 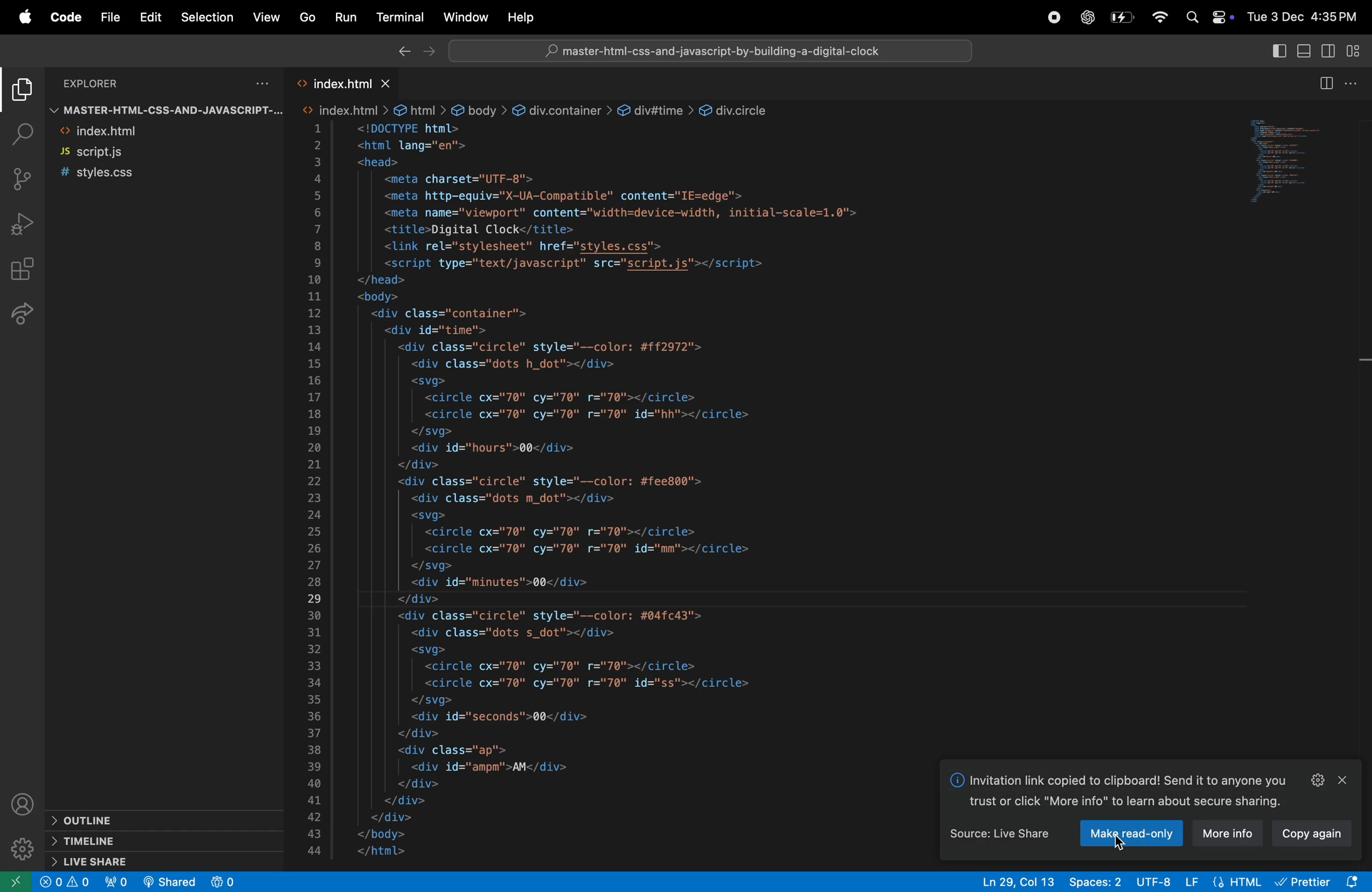 What do you see at coordinates (712, 52) in the screenshot?
I see `serach bar` at bounding box center [712, 52].